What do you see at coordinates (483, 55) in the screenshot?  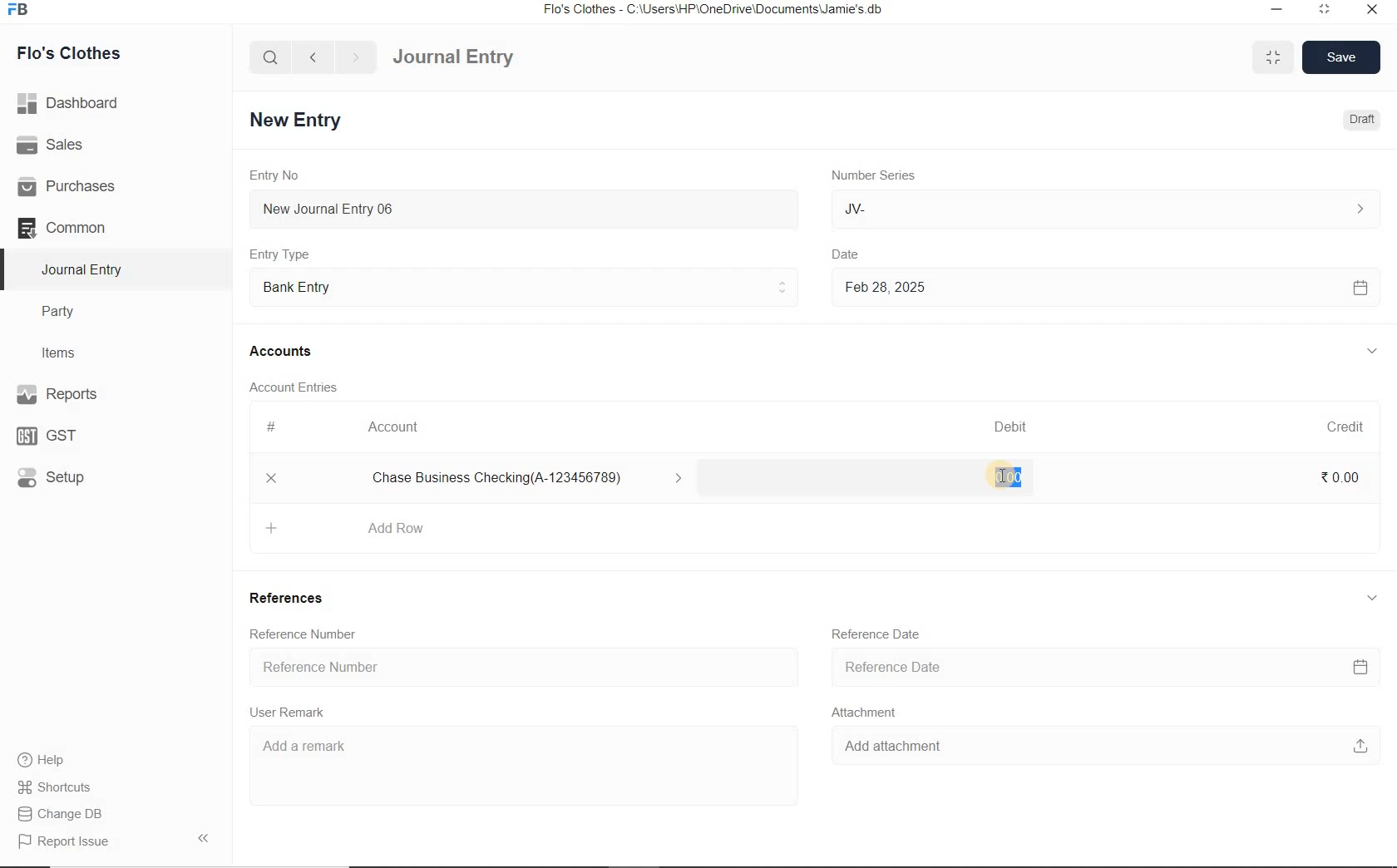 I see `Journal Entry` at bounding box center [483, 55].